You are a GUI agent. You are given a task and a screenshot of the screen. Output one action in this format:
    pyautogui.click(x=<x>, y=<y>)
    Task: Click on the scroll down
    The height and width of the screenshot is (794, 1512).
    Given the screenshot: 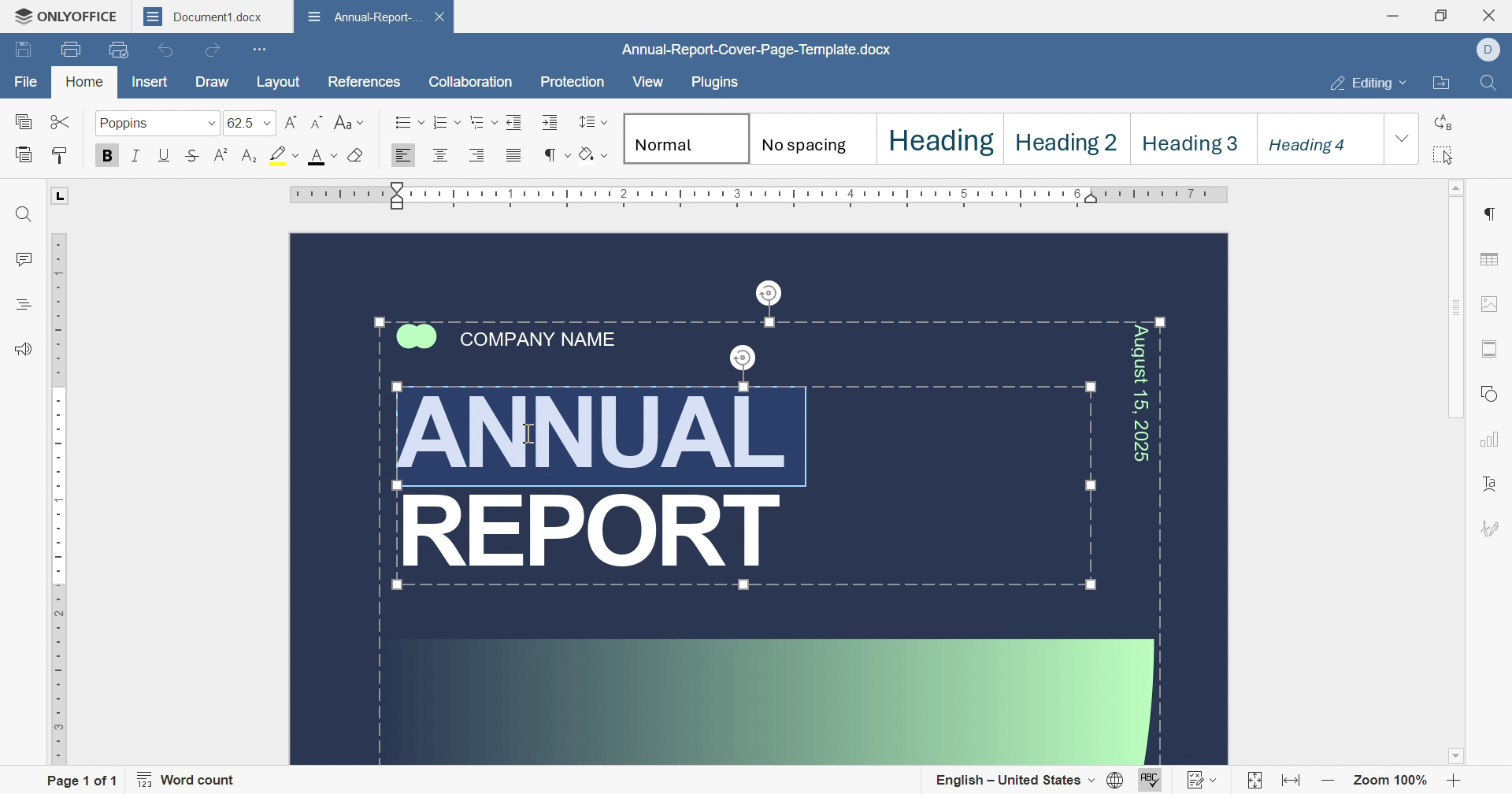 What is the action you would take?
    pyautogui.click(x=1461, y=762)
    